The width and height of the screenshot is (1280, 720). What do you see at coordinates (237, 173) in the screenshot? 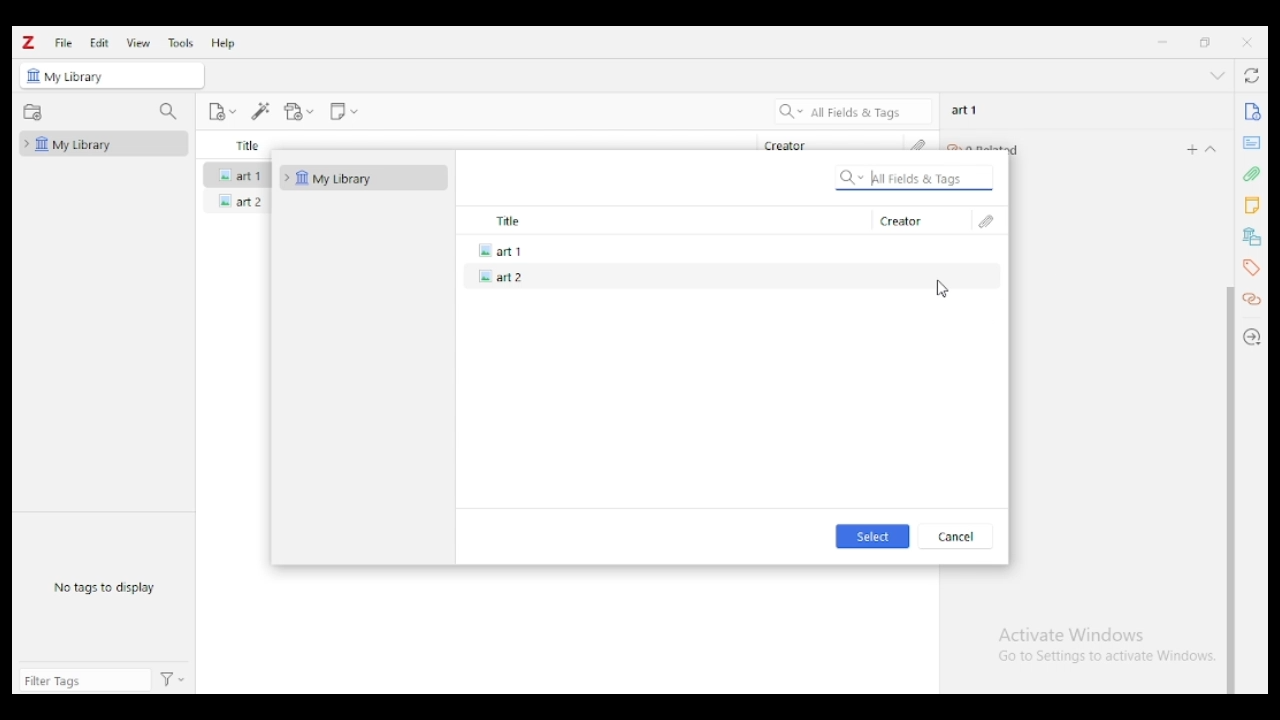
I see `art 1` at bounding box center [237, 173].